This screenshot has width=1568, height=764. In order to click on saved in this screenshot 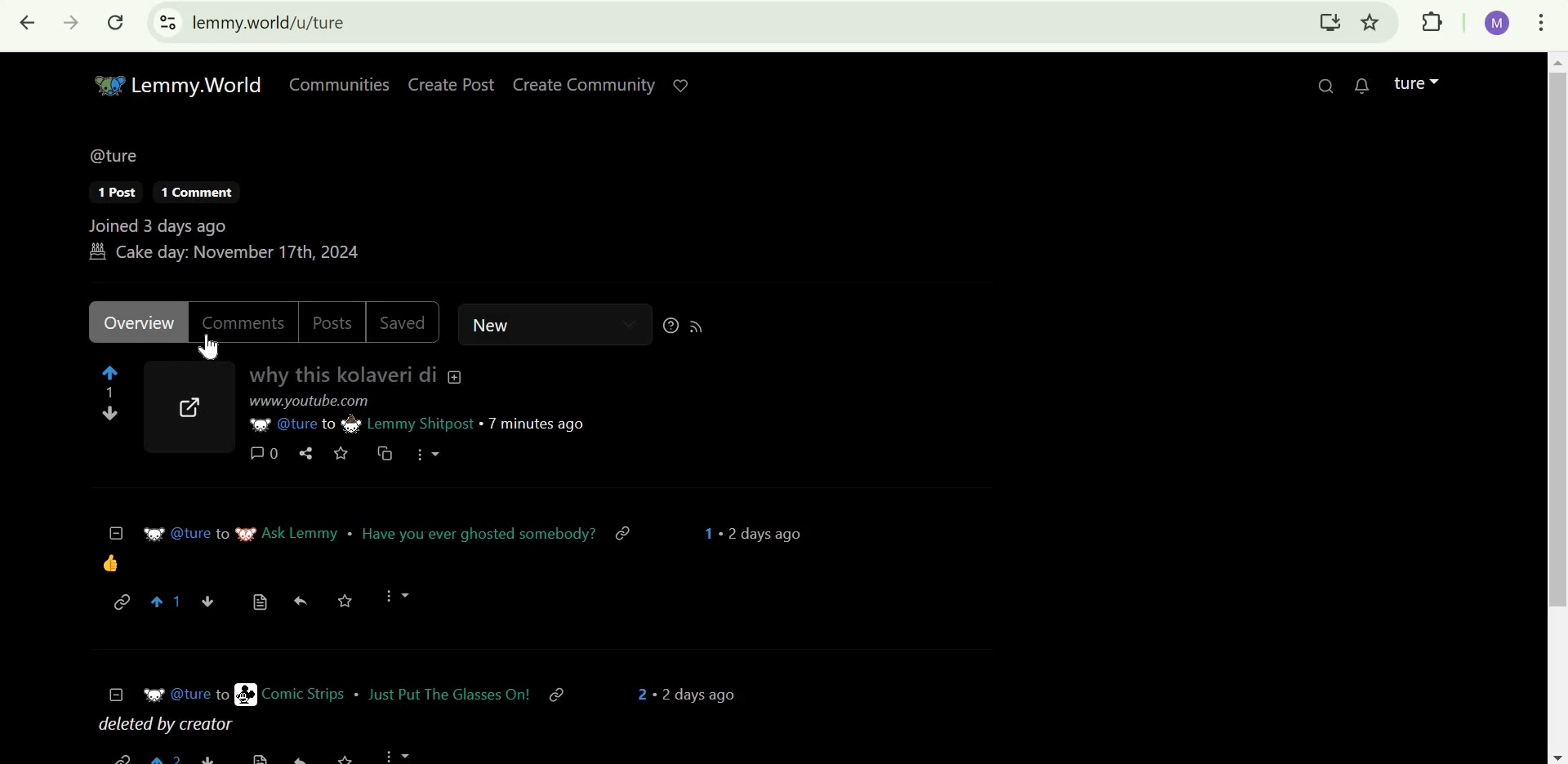, I will do `click(402, 323)`.